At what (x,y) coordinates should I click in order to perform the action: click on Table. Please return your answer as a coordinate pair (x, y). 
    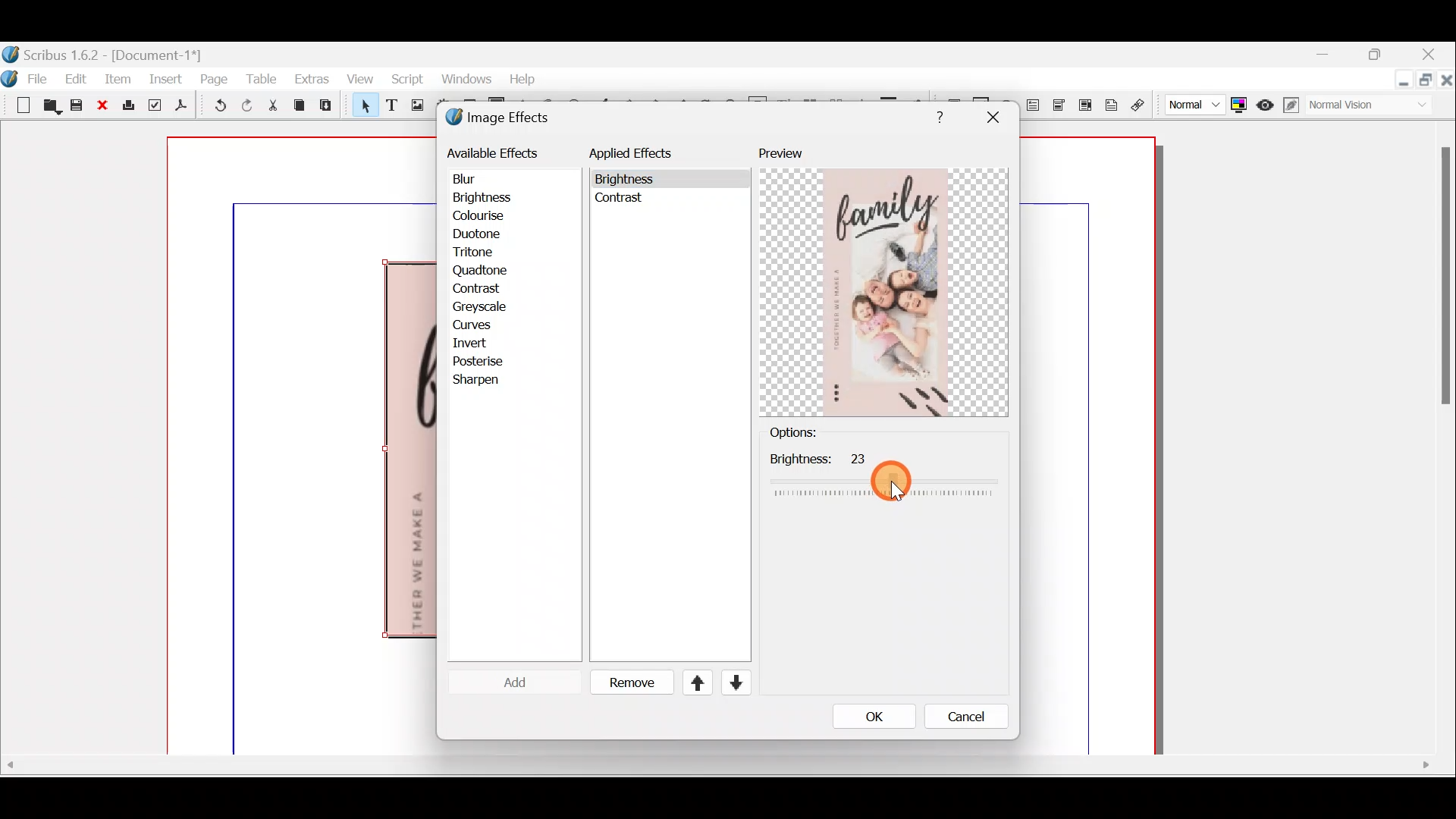
    Looking at the image, I should click on (260, 77).